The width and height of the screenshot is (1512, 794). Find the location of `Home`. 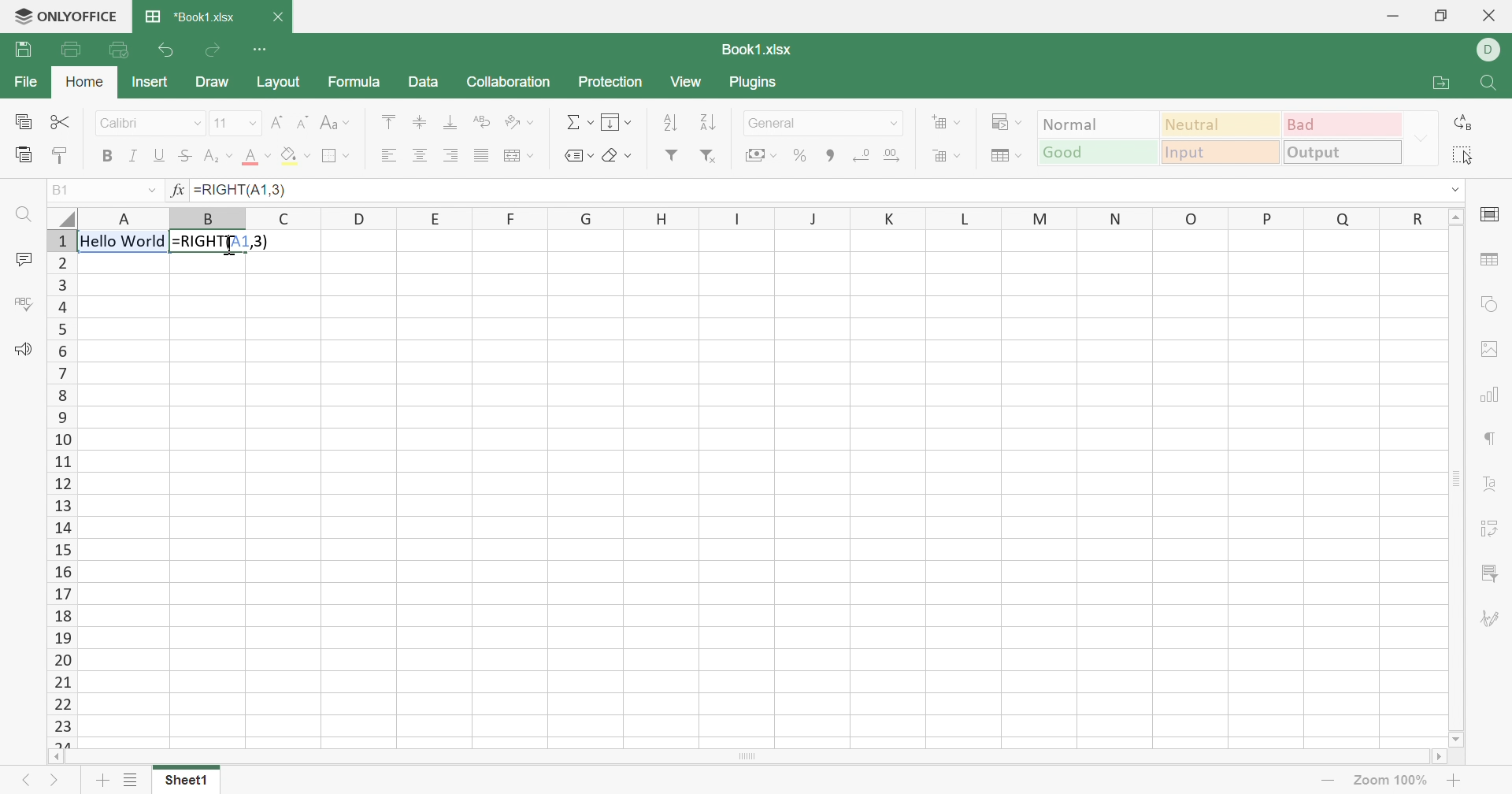

Home is located at coordinates (87, 82).